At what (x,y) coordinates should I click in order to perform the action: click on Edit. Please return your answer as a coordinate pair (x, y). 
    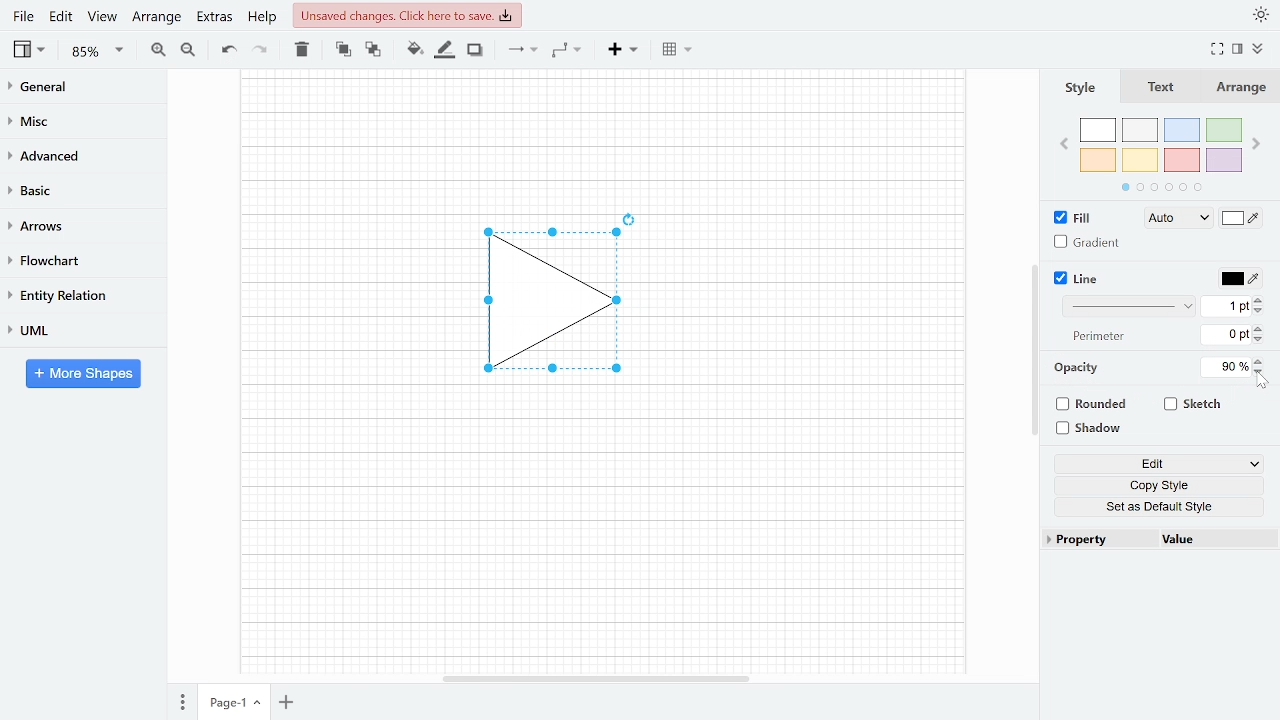
    Looking at the image, I should click on (1159, 465).